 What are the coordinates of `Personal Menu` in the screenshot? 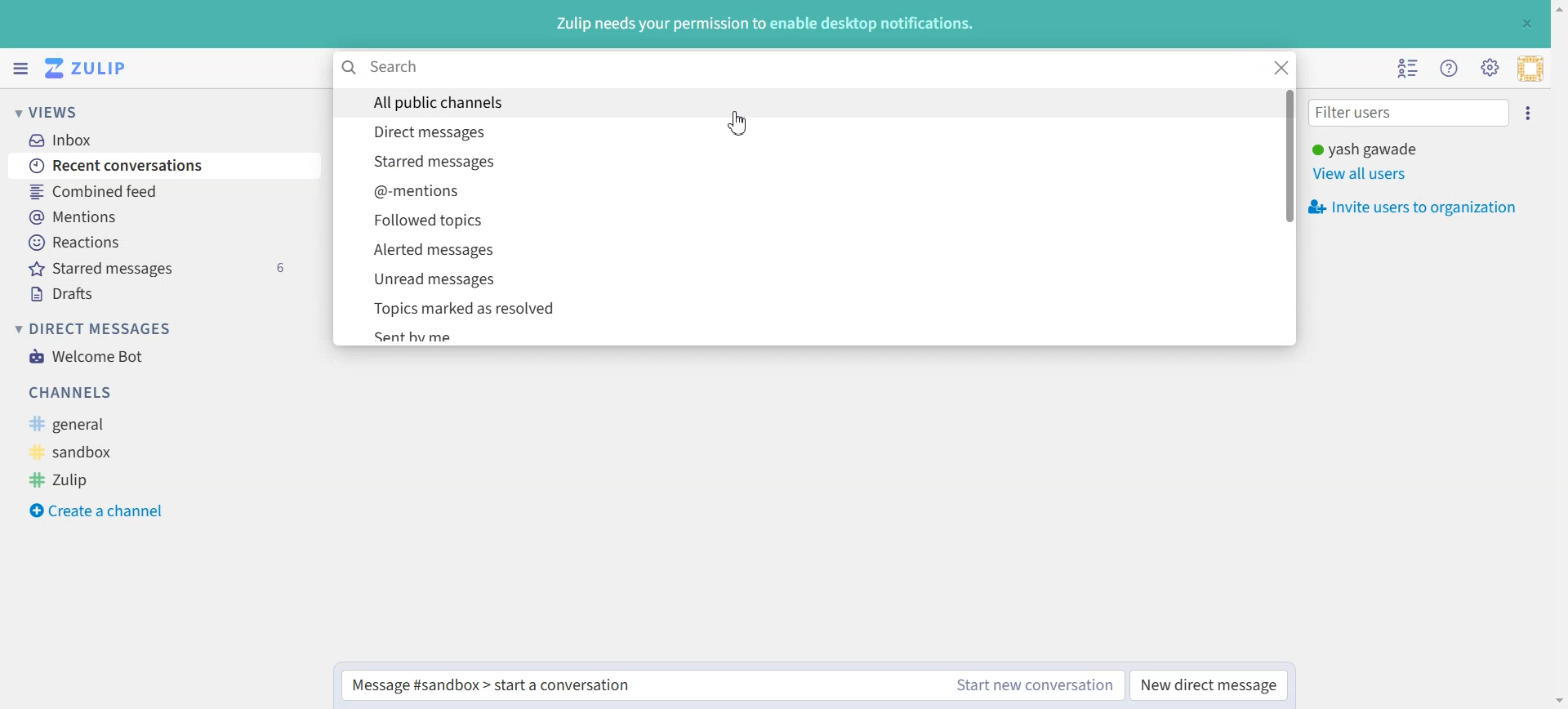 It's located at (1530, 69).